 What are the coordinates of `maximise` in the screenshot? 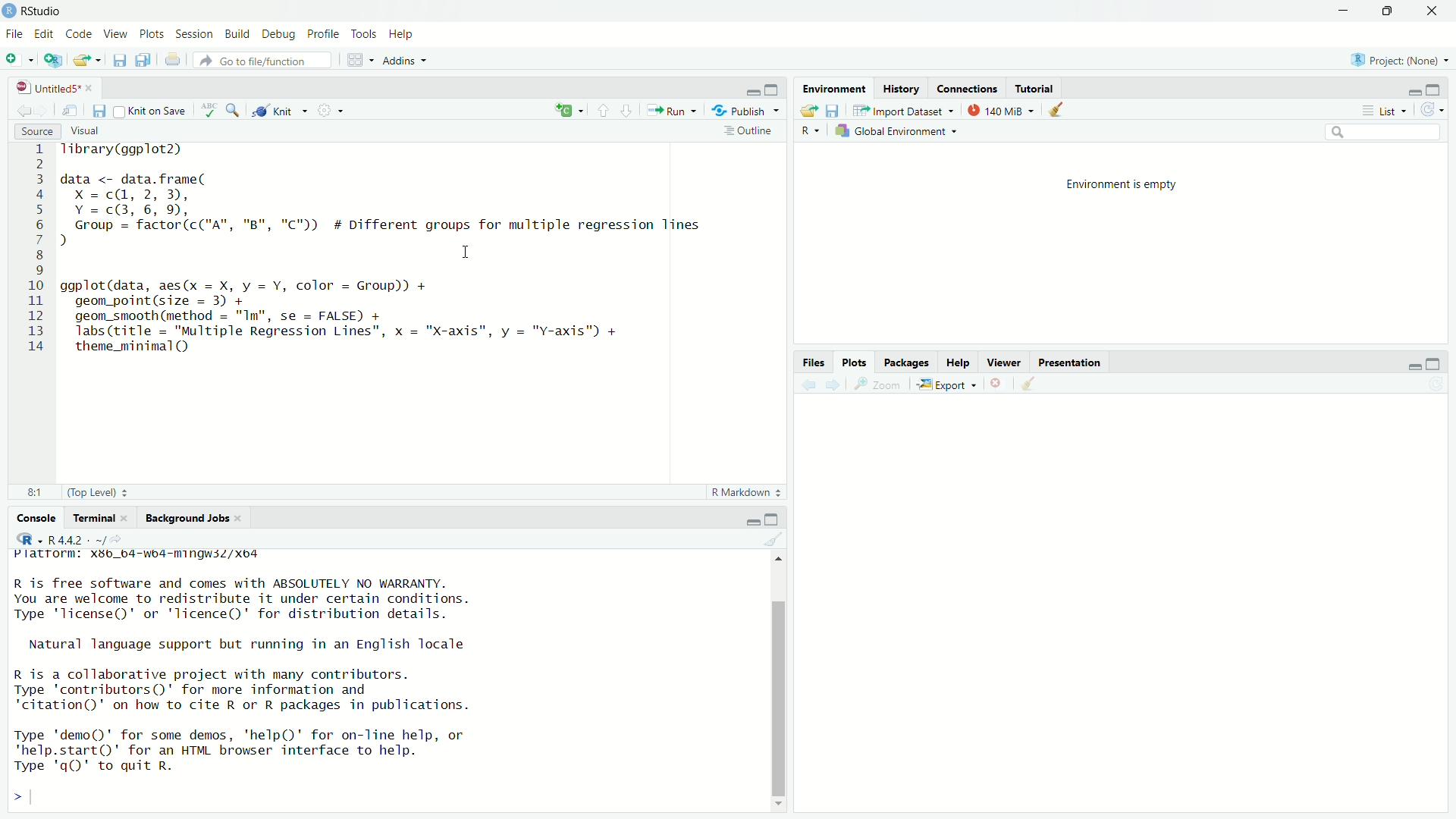 It's located at (1392, 12).